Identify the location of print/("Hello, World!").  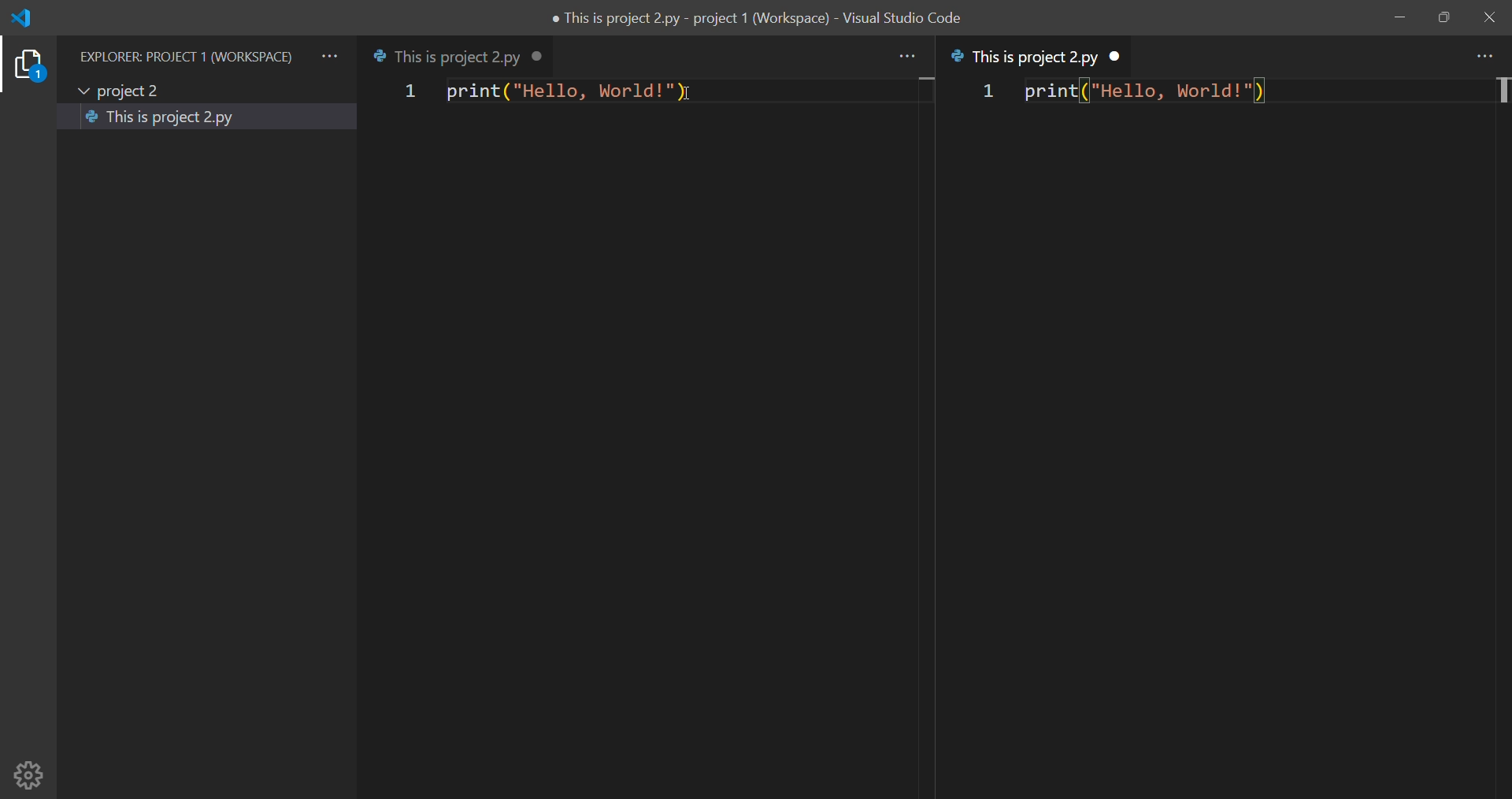
(1147, 92).